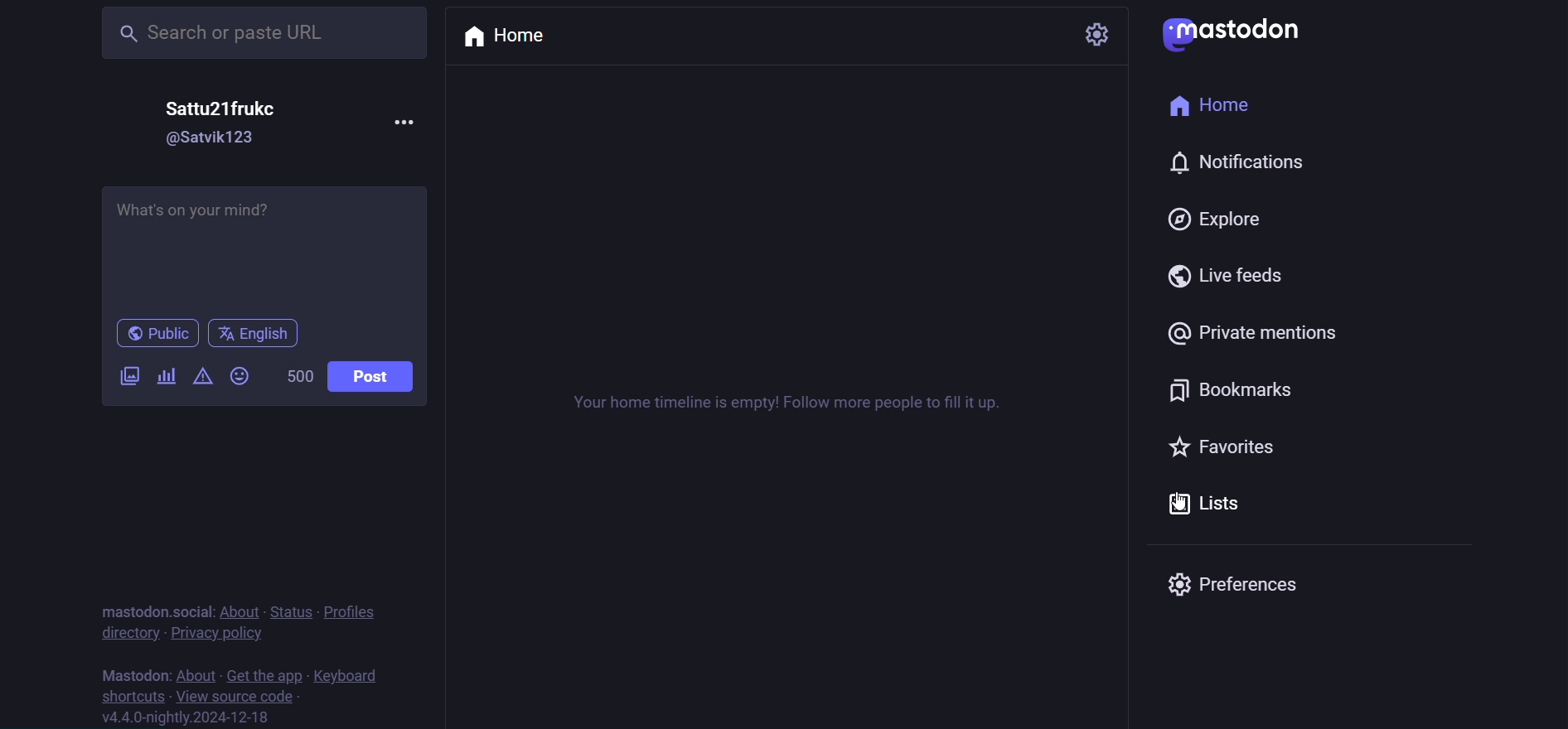  I want to click on Sattu21frukc, so click(214, 109).